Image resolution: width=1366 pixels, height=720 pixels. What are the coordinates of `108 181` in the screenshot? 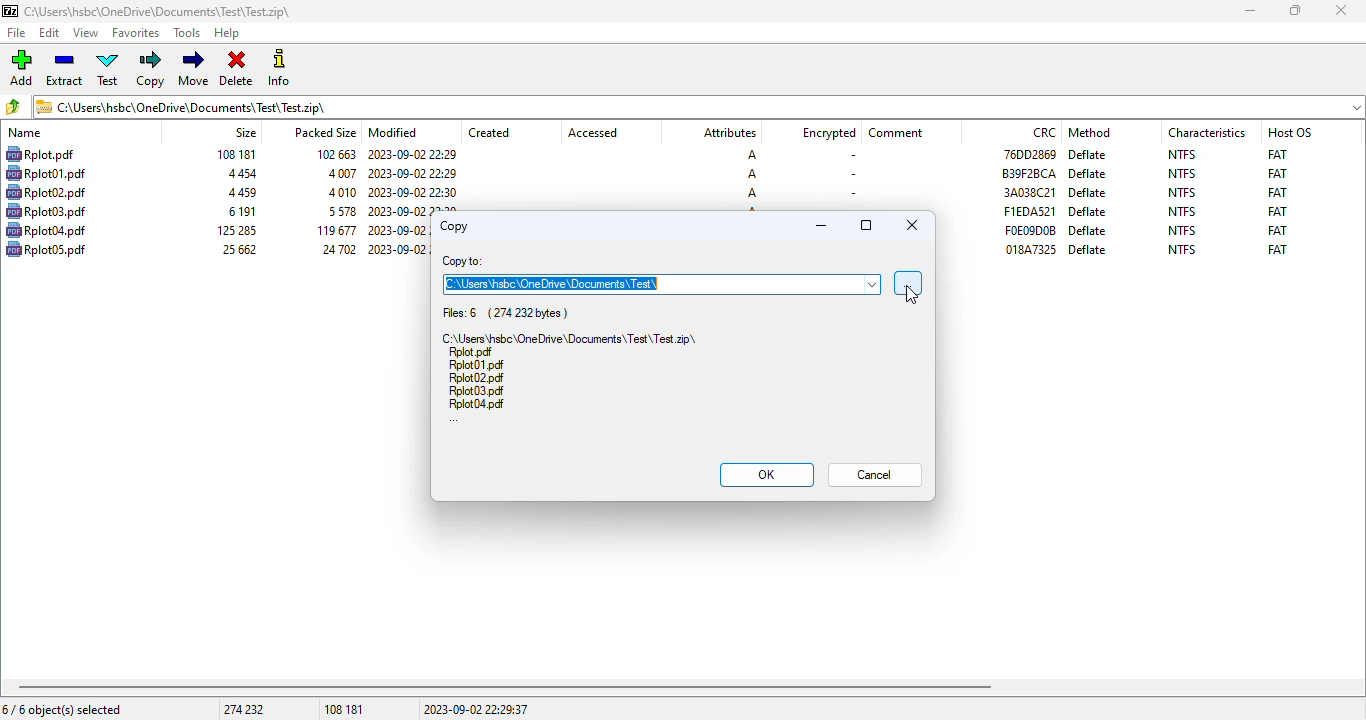 It's located at (344, 710).